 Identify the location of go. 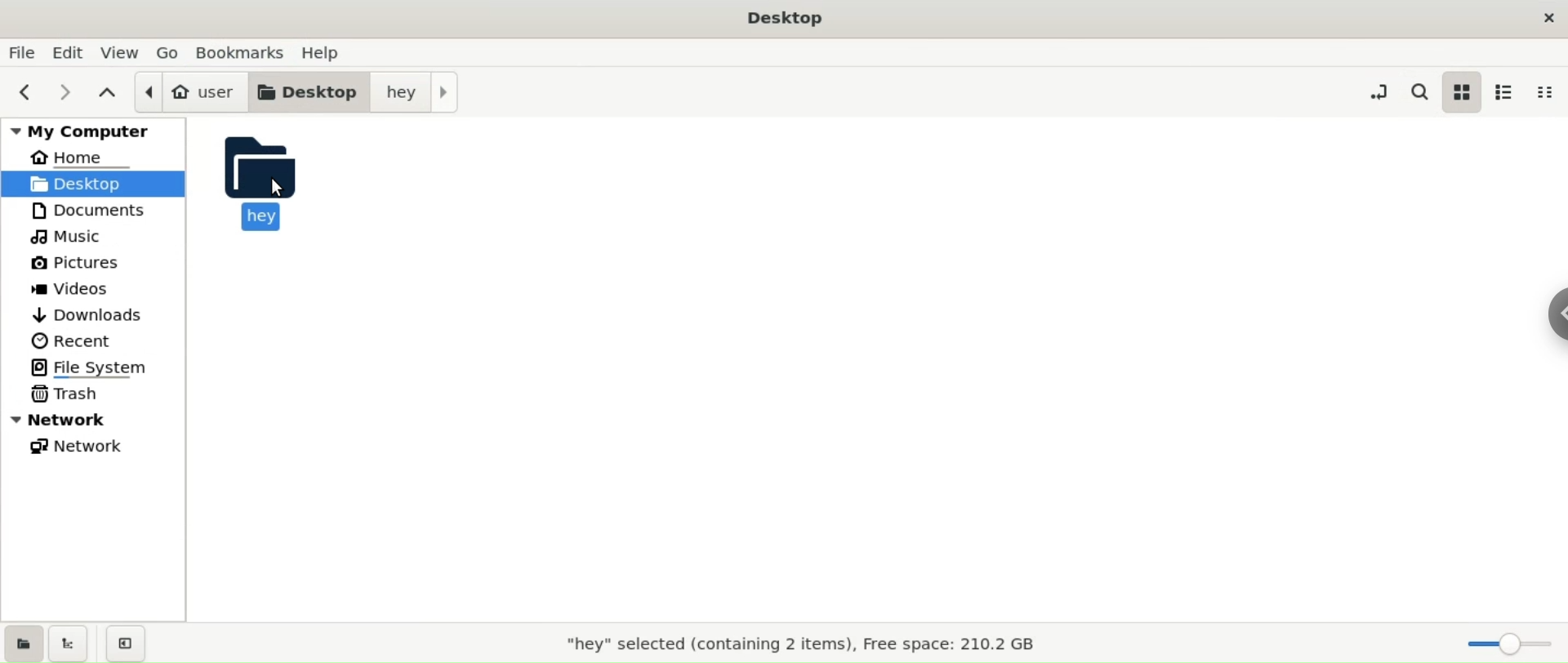
(172, 51).